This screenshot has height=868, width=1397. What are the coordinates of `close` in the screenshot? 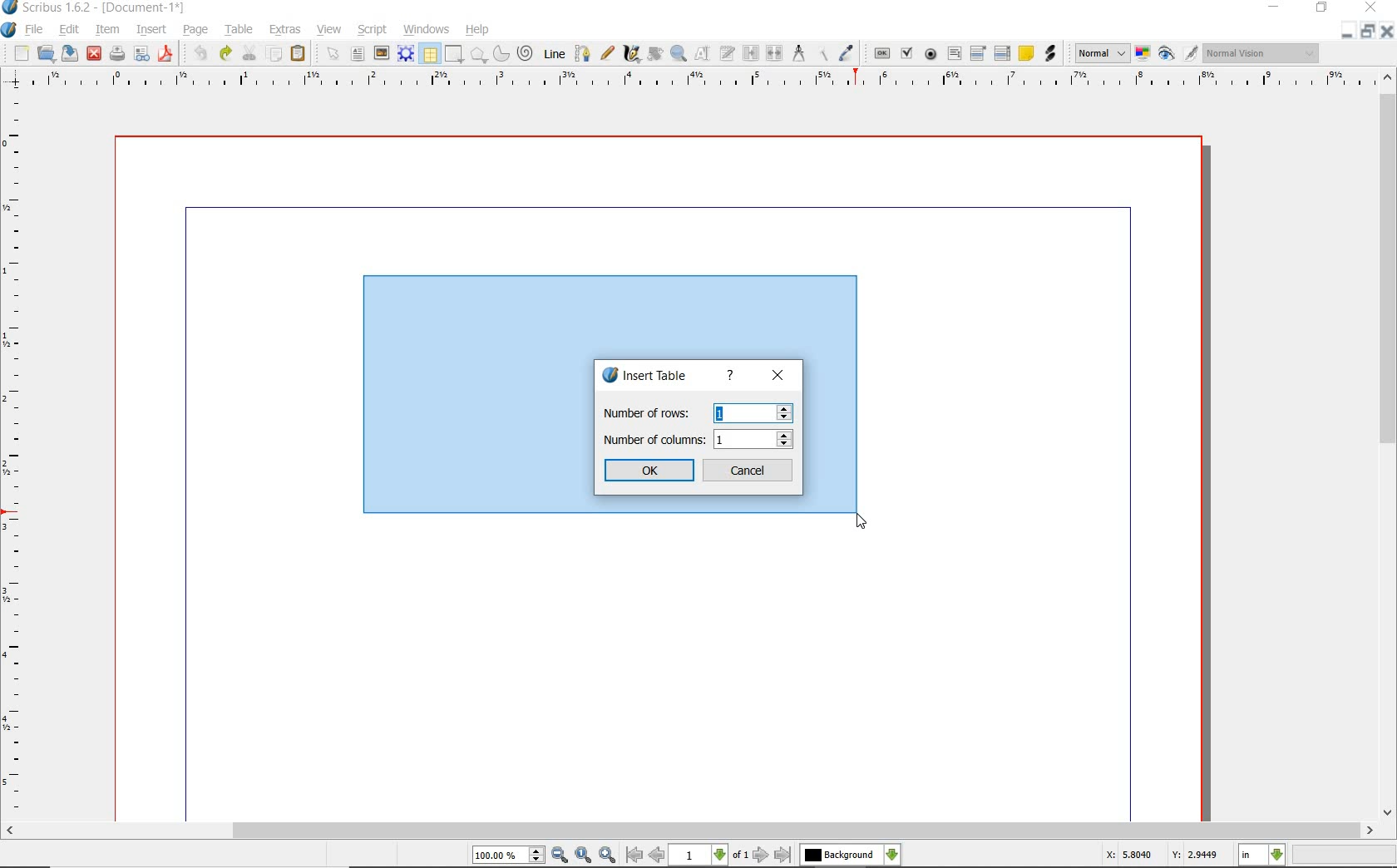 It's located at (93, 52).